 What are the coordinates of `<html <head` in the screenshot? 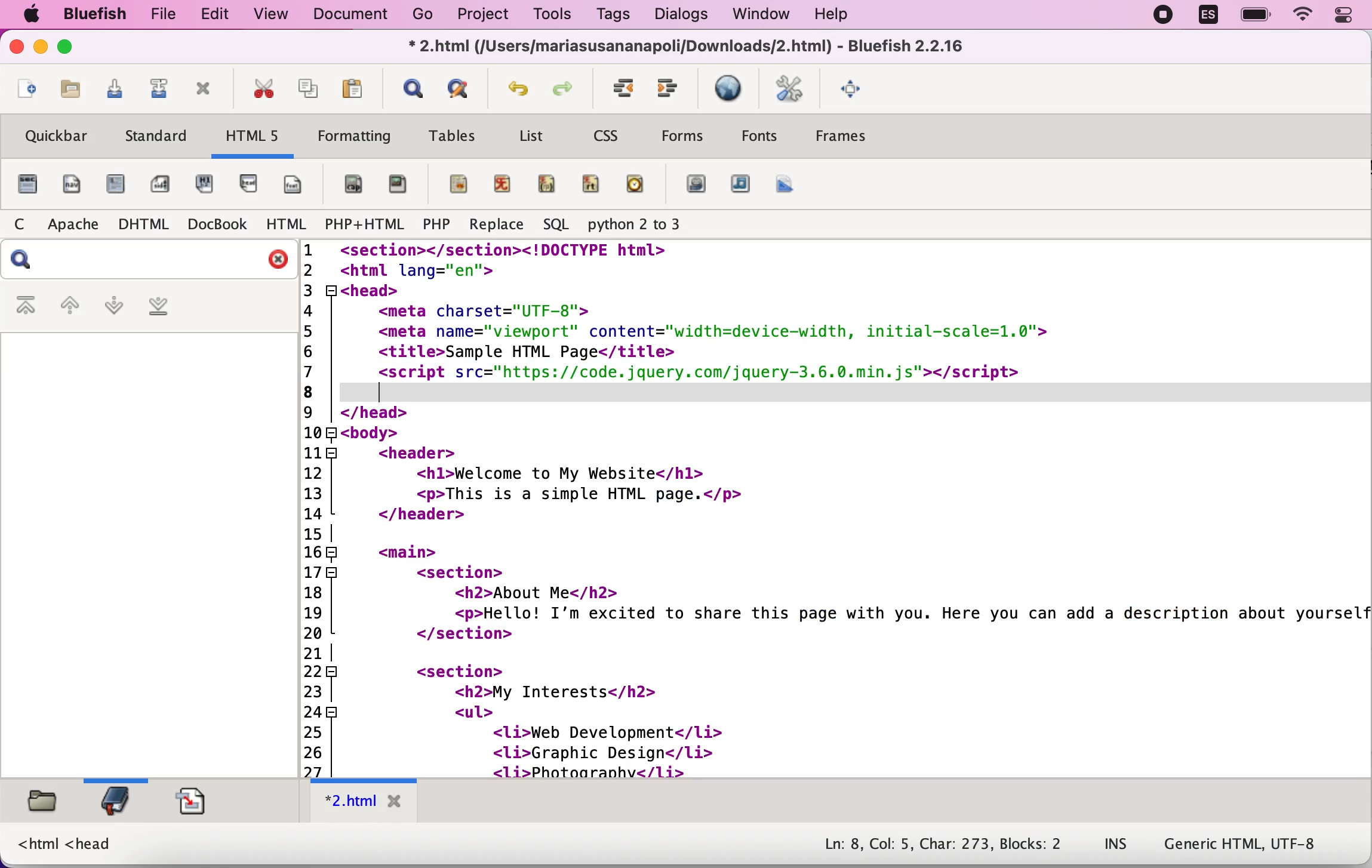 It's located at (66, 845).